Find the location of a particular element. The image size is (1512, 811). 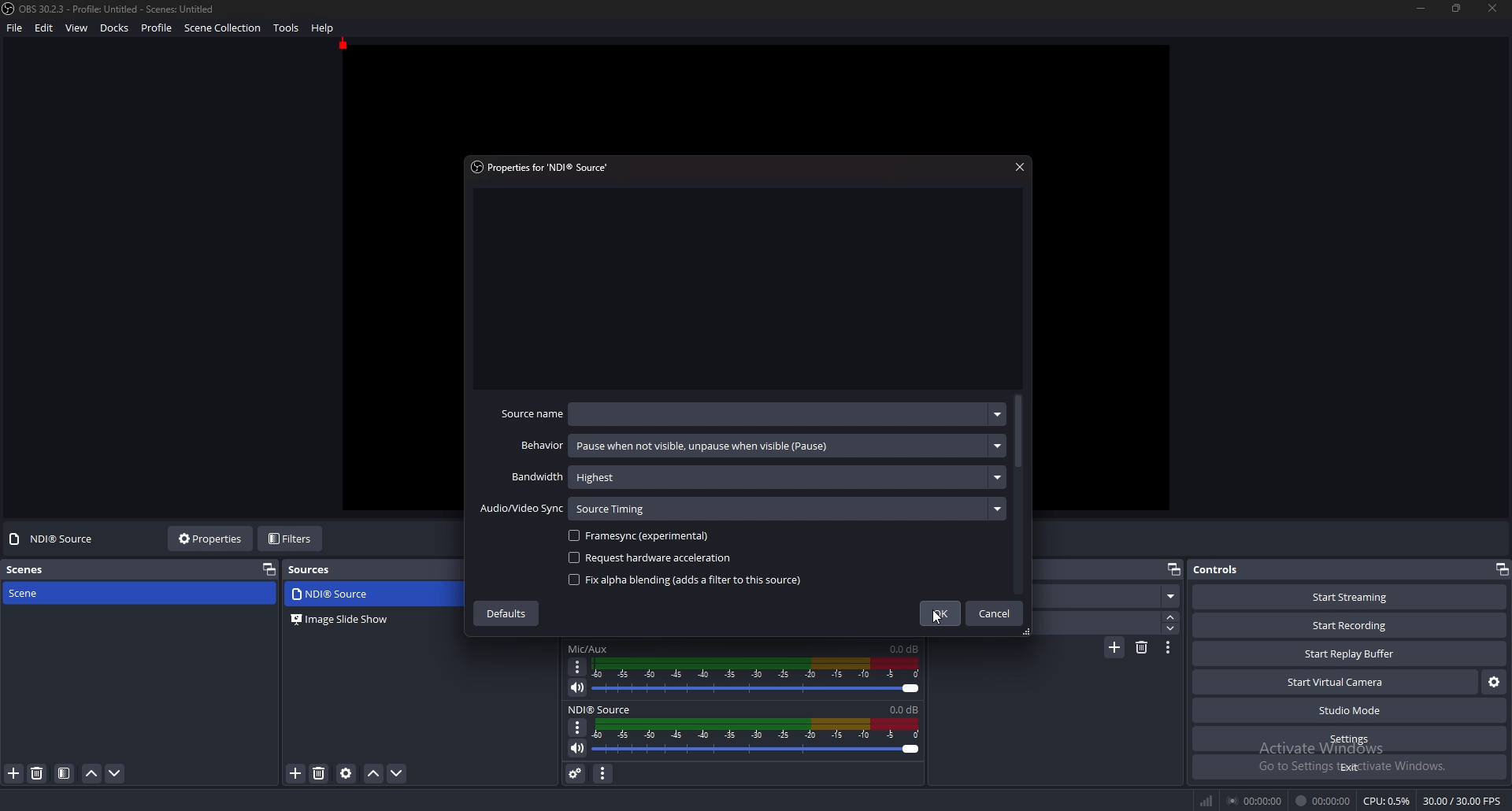

bandwidth is located at coordinates (757, 476).